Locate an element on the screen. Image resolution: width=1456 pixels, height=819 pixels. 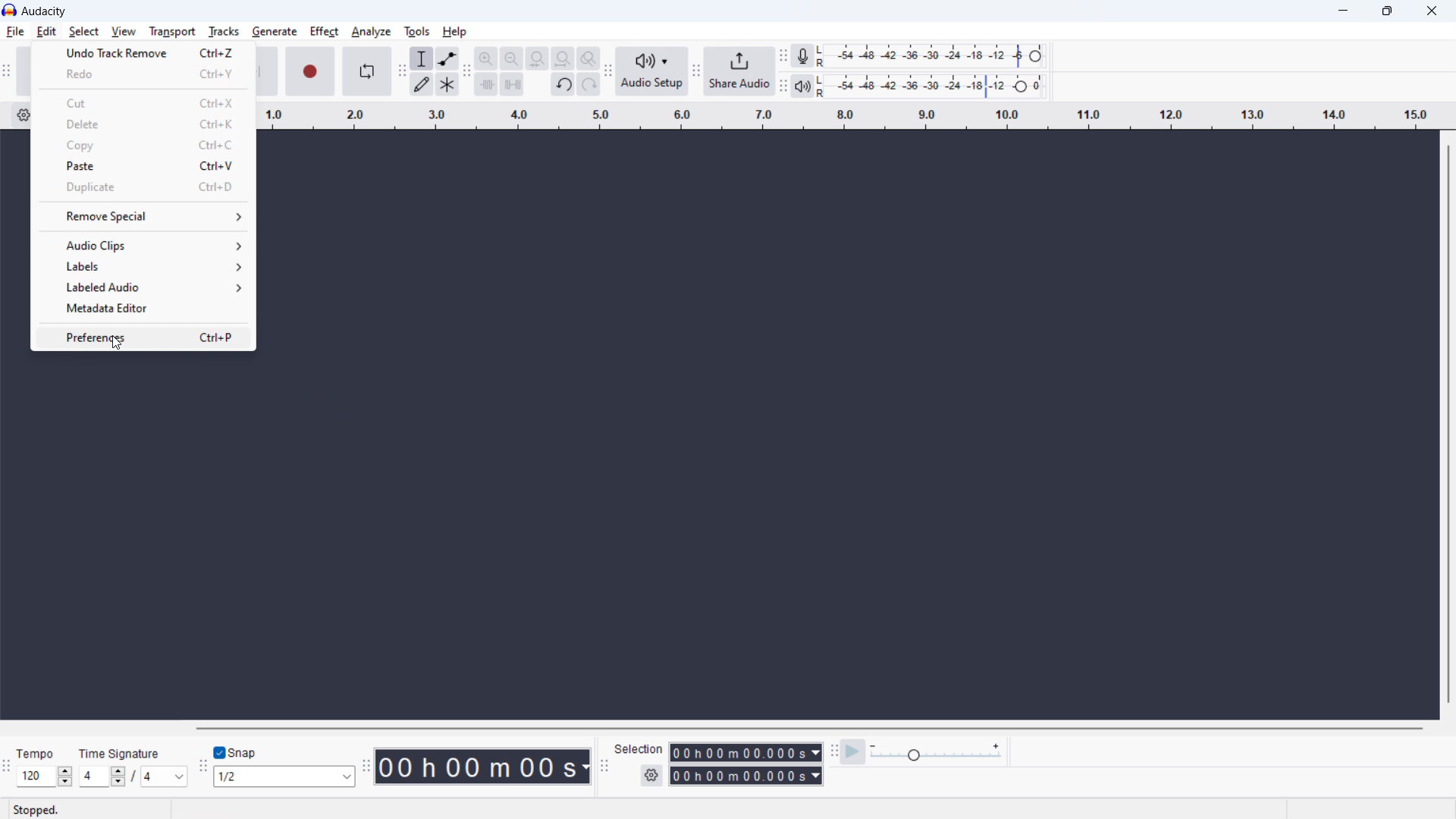
Time signature is located at coordinates (118, 752).